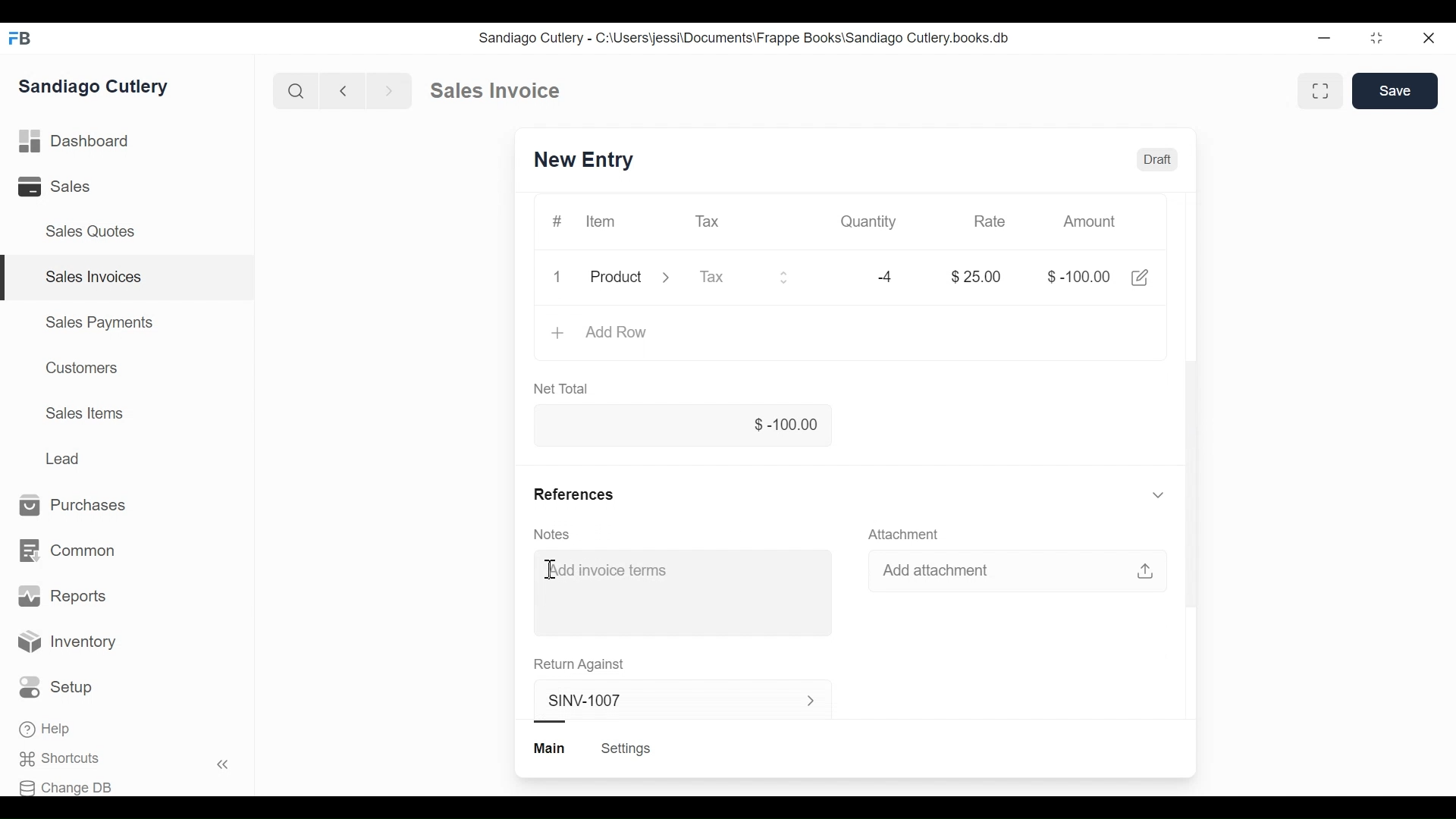 Image resolution: width=1456 pixels, height=819 pixels. What do you see at coordinates (554, 534) in the screenshot?
I see `Notes` at bounding box center [554, 534].